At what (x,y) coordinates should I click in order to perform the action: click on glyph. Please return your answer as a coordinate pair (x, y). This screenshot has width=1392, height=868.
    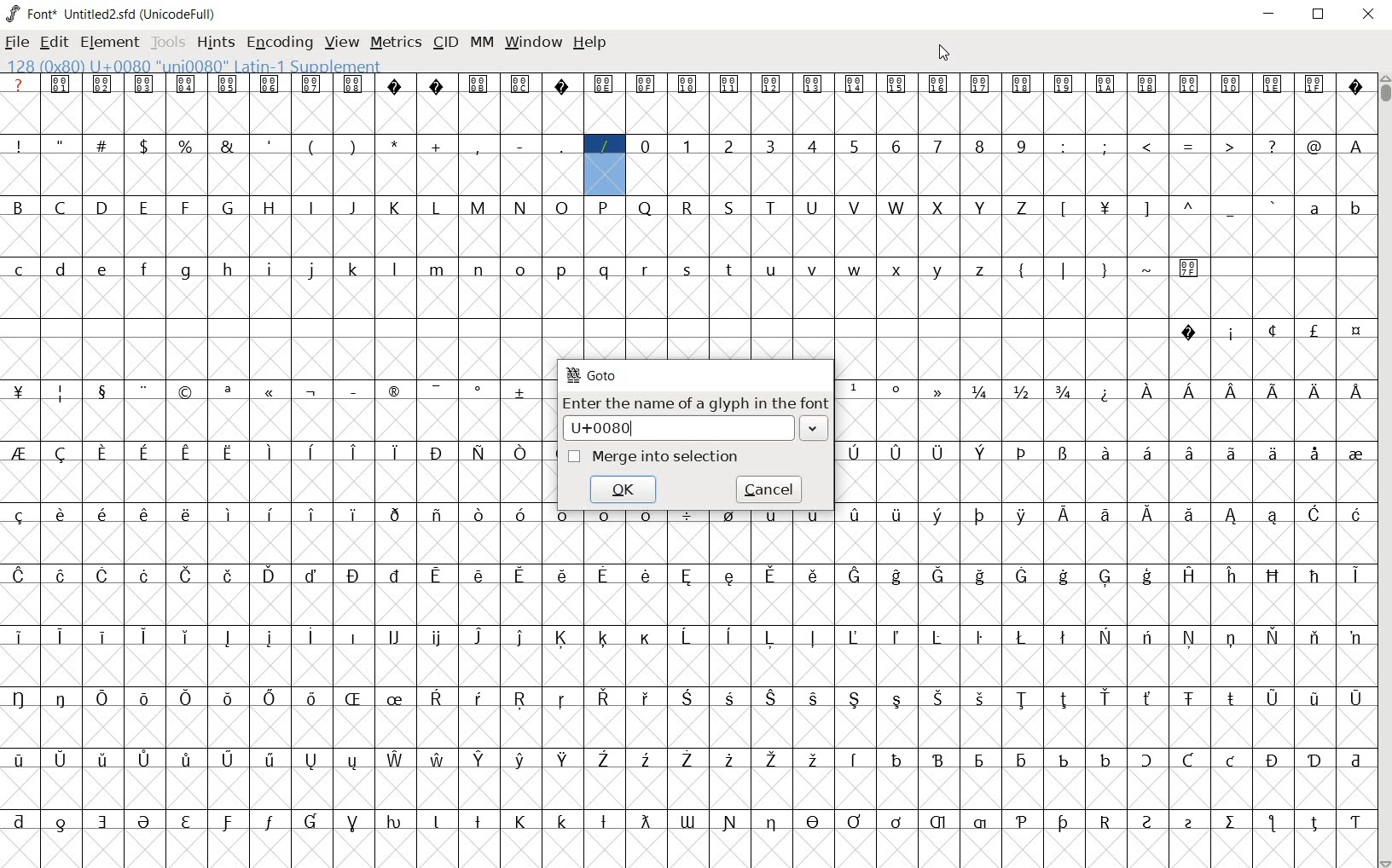
    Looking at the image, I should click on (729, 208).